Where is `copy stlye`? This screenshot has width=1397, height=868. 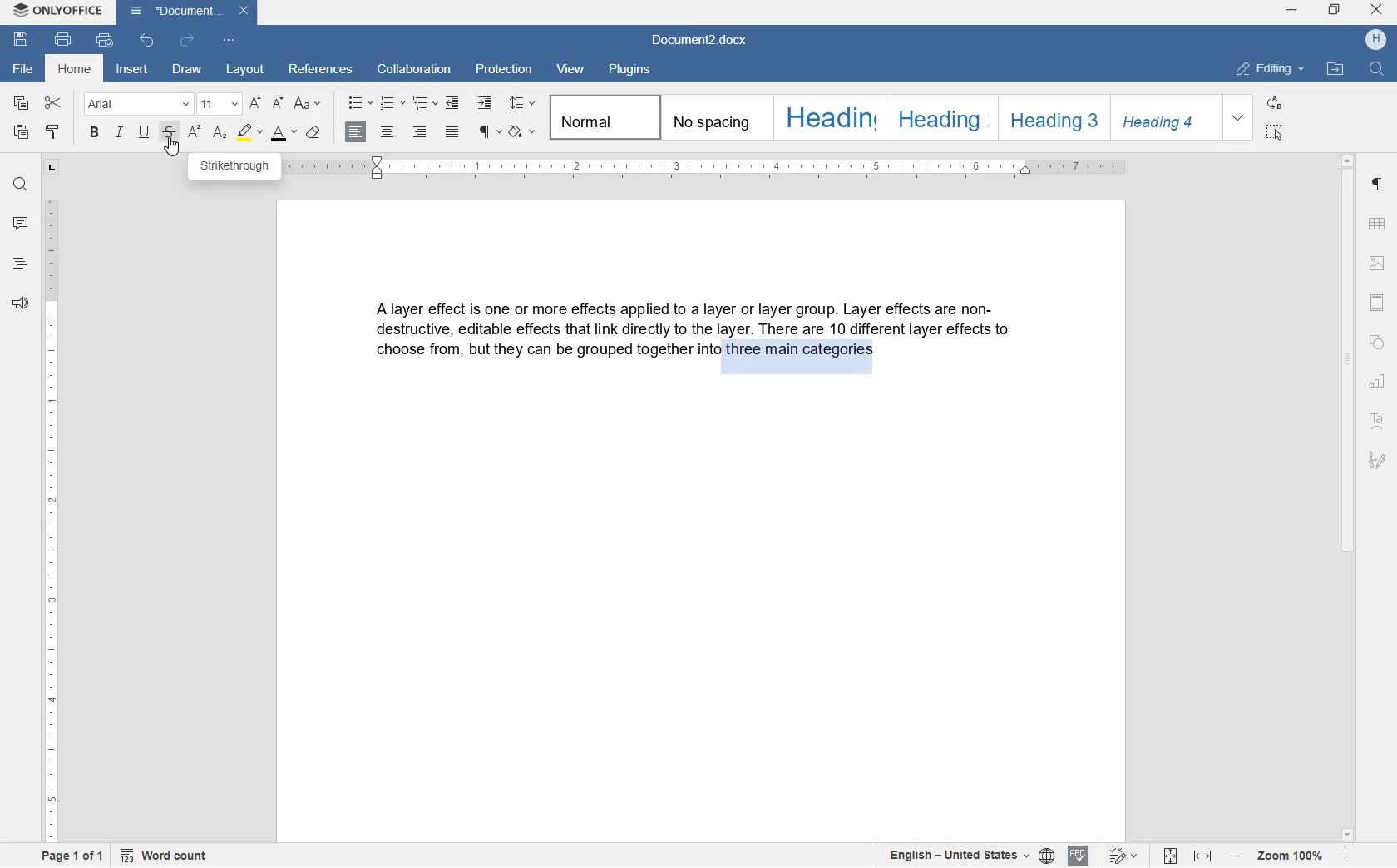 copy stlye is located at coordinates (52, 133).